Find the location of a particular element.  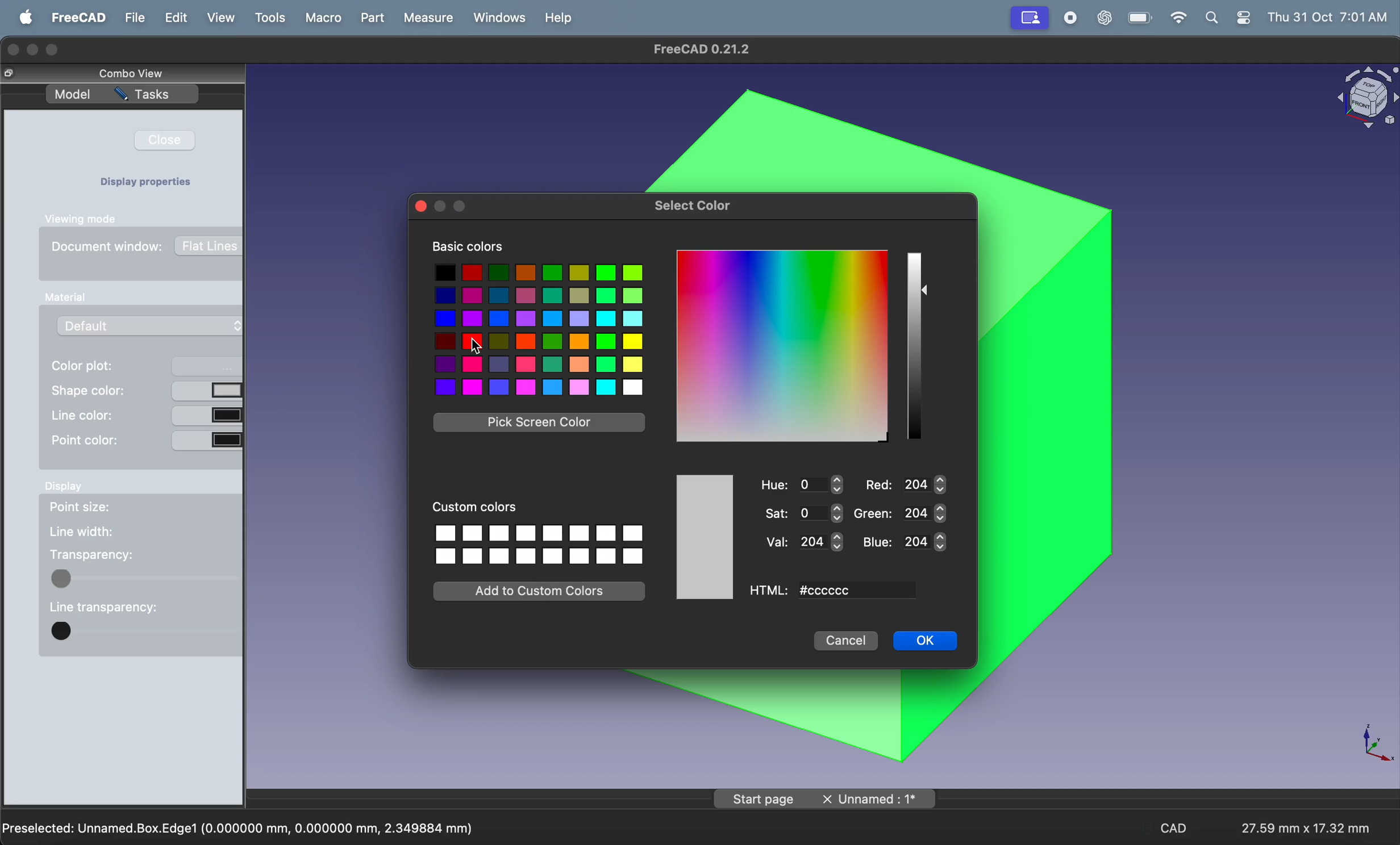

select color is located at coordinates (696, 206).